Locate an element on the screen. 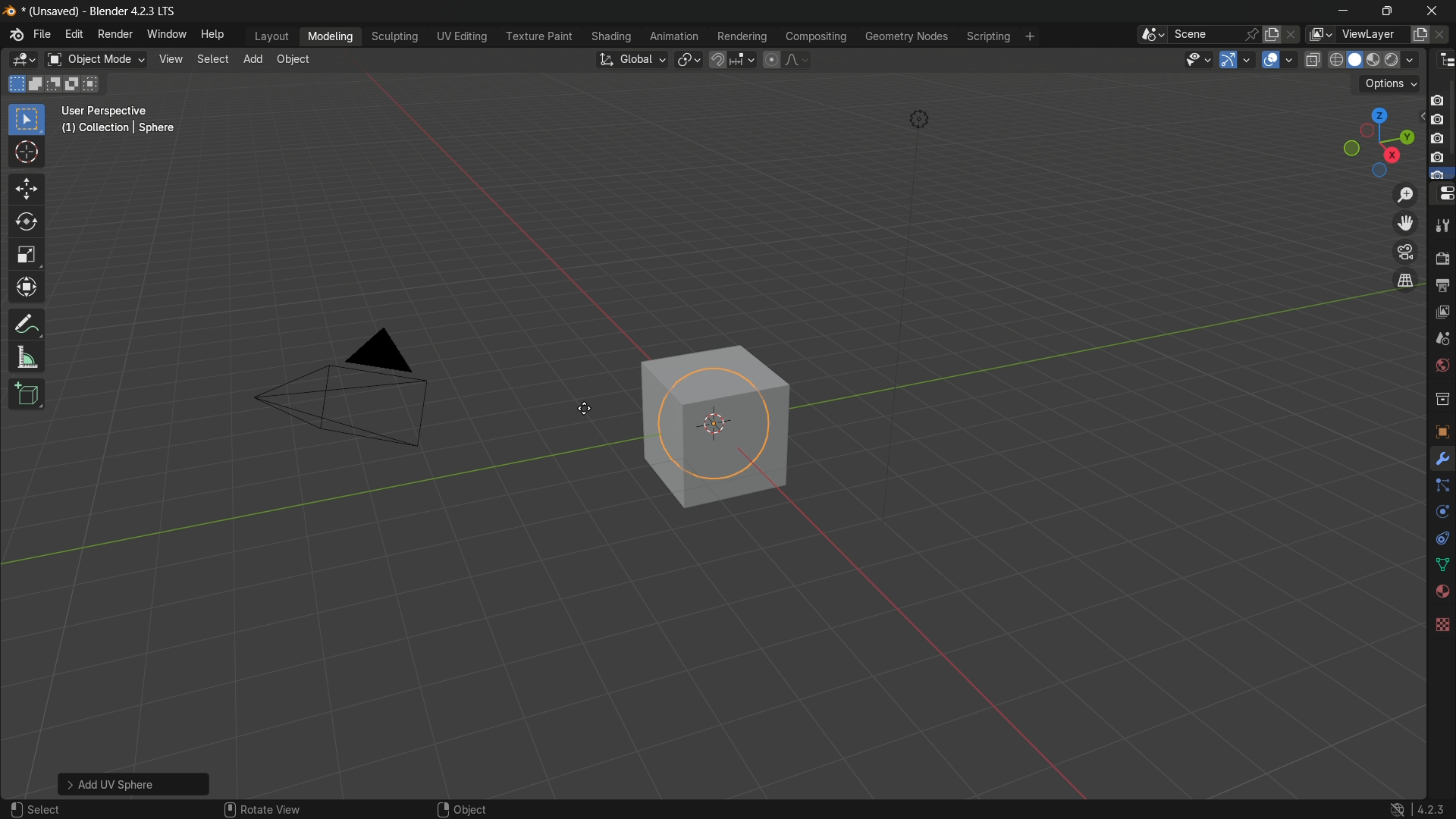  animation menu is located at coordinates (676, 36).